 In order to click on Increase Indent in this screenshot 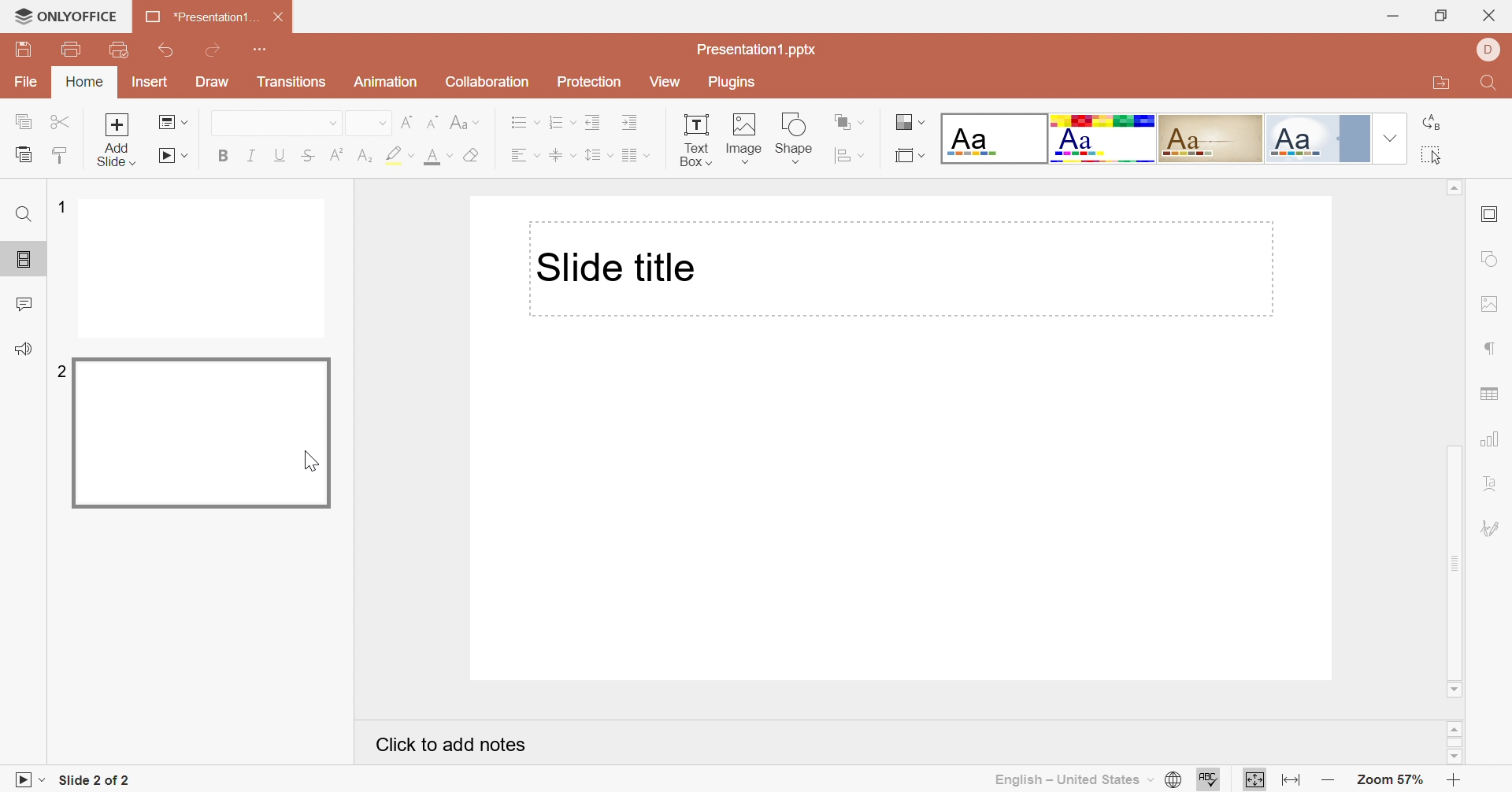, I will do `click(632, 123)`.